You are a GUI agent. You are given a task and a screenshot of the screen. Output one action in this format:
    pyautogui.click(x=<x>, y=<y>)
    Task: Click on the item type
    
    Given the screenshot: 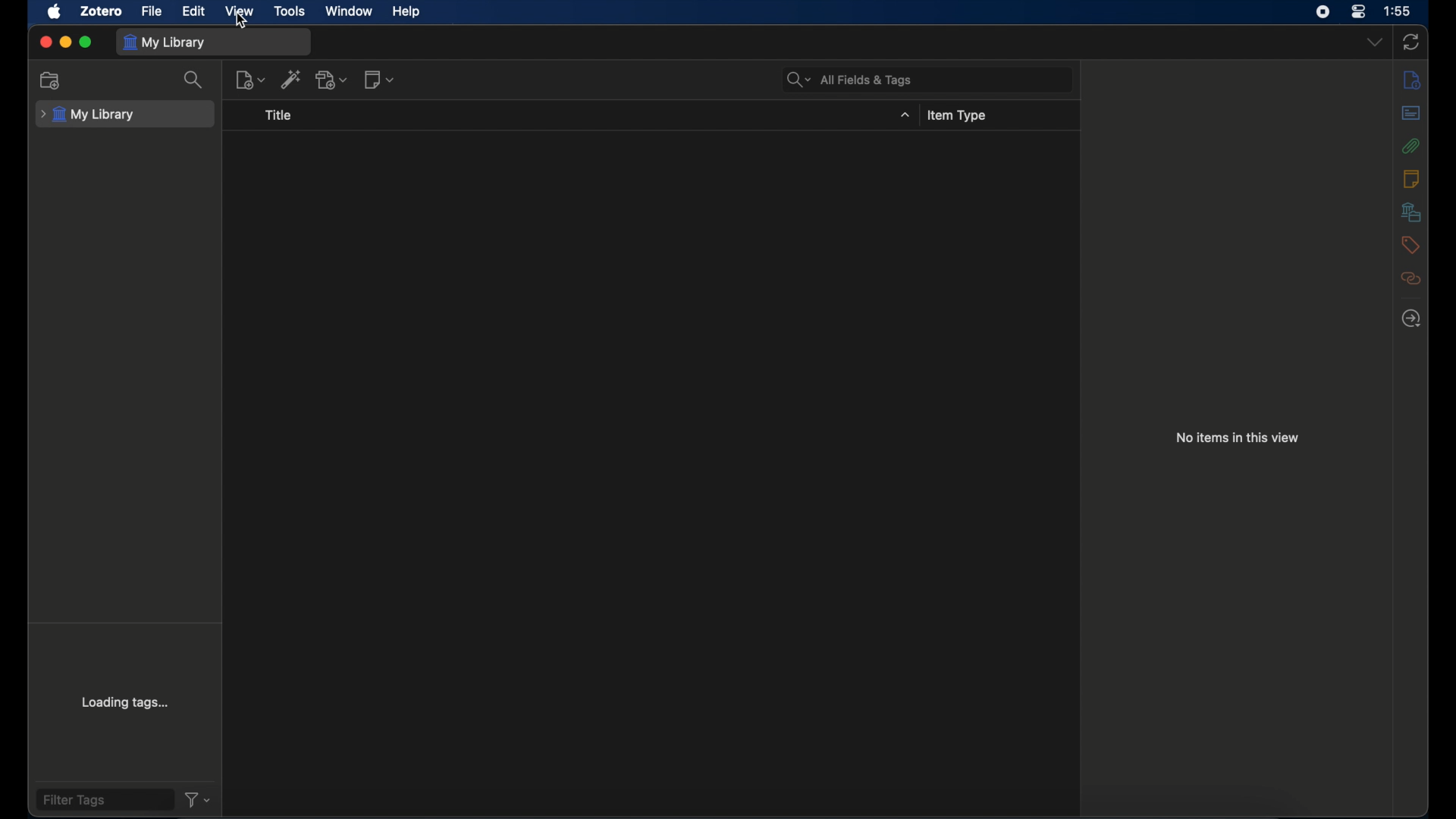 What is the action you would take?
    pyautogui.click(x=956, y=116)
    